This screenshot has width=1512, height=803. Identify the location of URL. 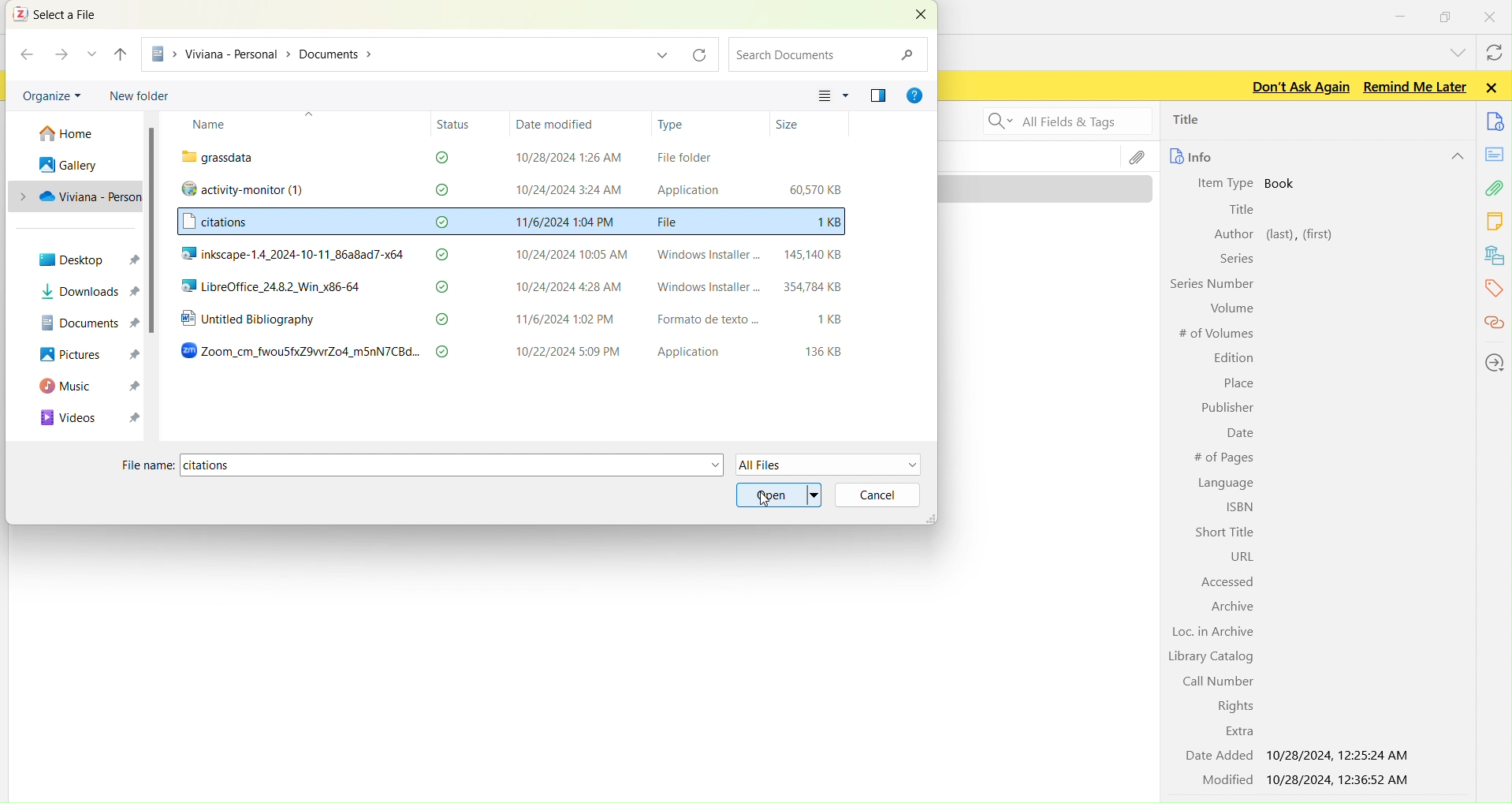
(1238, 555).